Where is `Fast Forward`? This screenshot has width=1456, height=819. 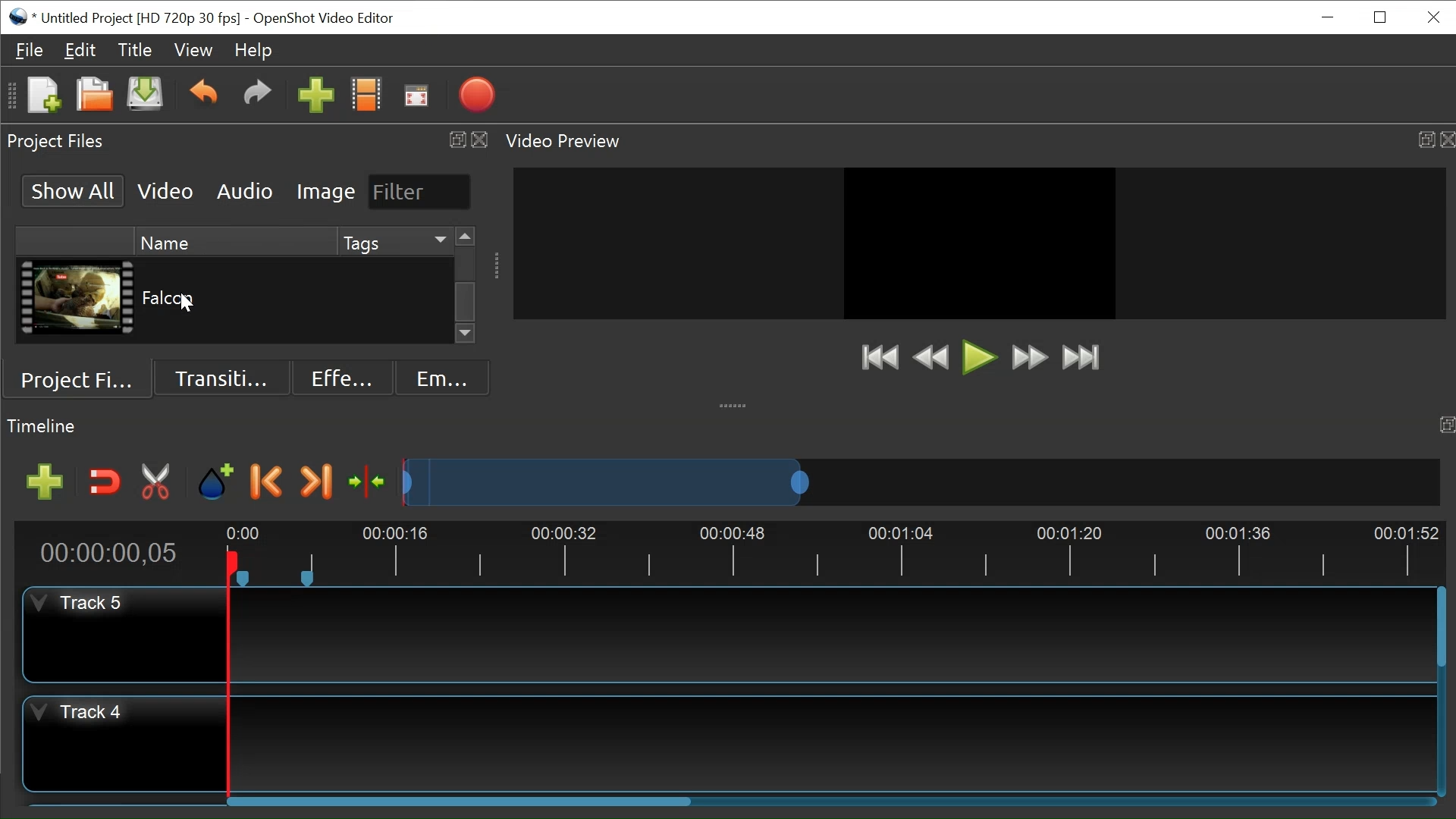
Fast Forward is located at coordinates (1029, 359).